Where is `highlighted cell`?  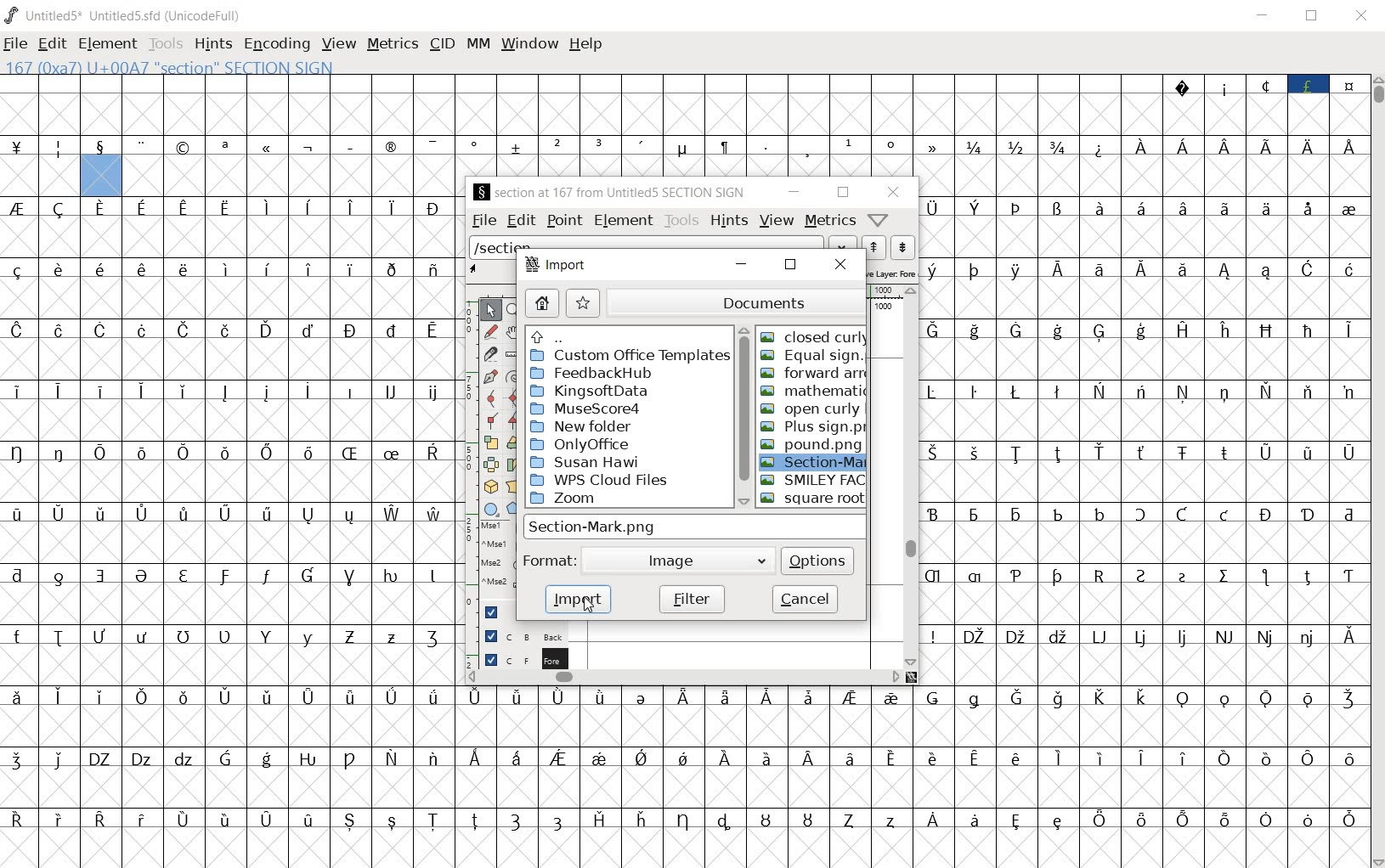 highlighted cell is located at coordinates (100, 177).